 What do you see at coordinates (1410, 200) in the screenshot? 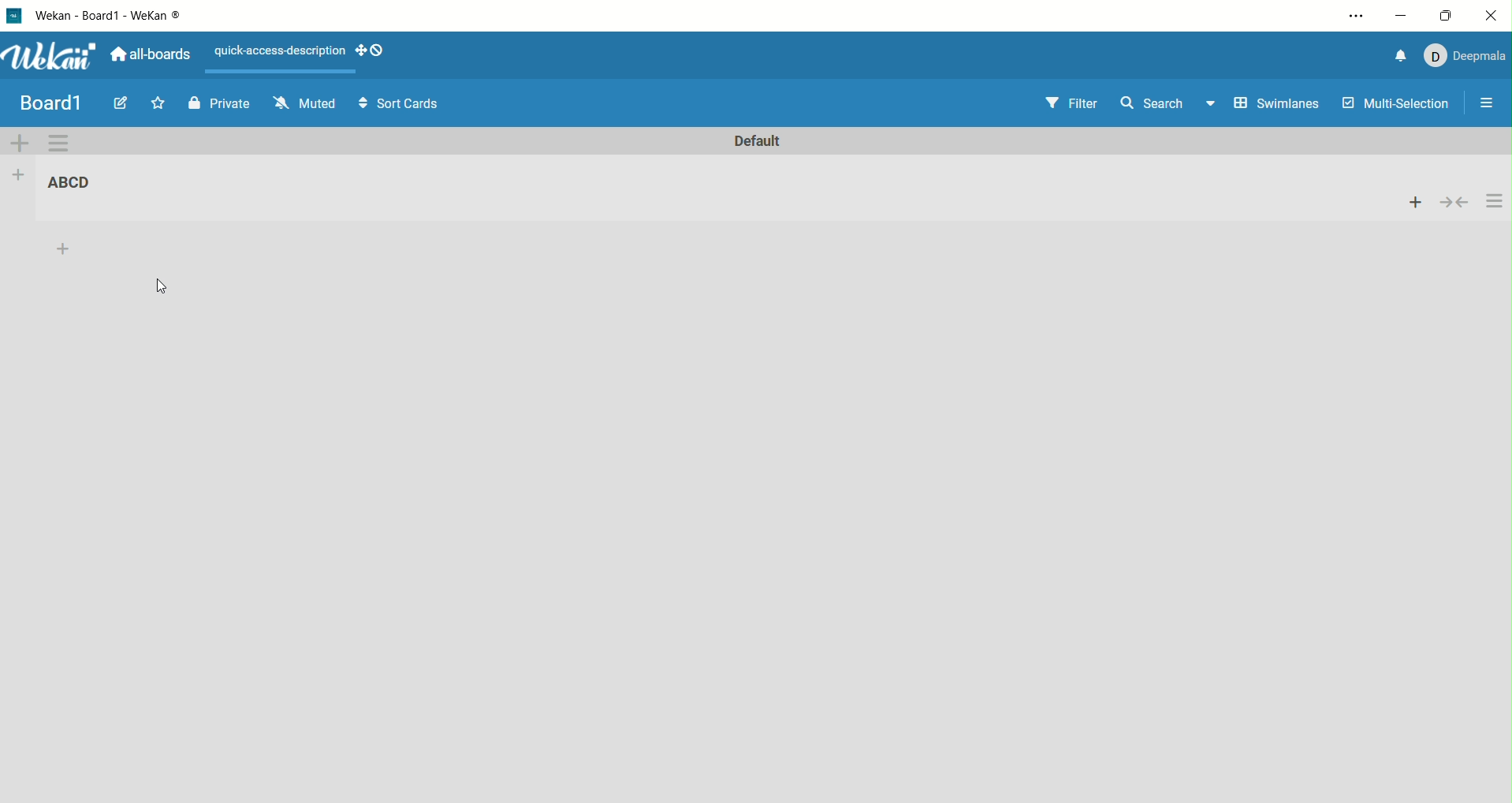
I see `add card` at bounding box center [1410, 200].